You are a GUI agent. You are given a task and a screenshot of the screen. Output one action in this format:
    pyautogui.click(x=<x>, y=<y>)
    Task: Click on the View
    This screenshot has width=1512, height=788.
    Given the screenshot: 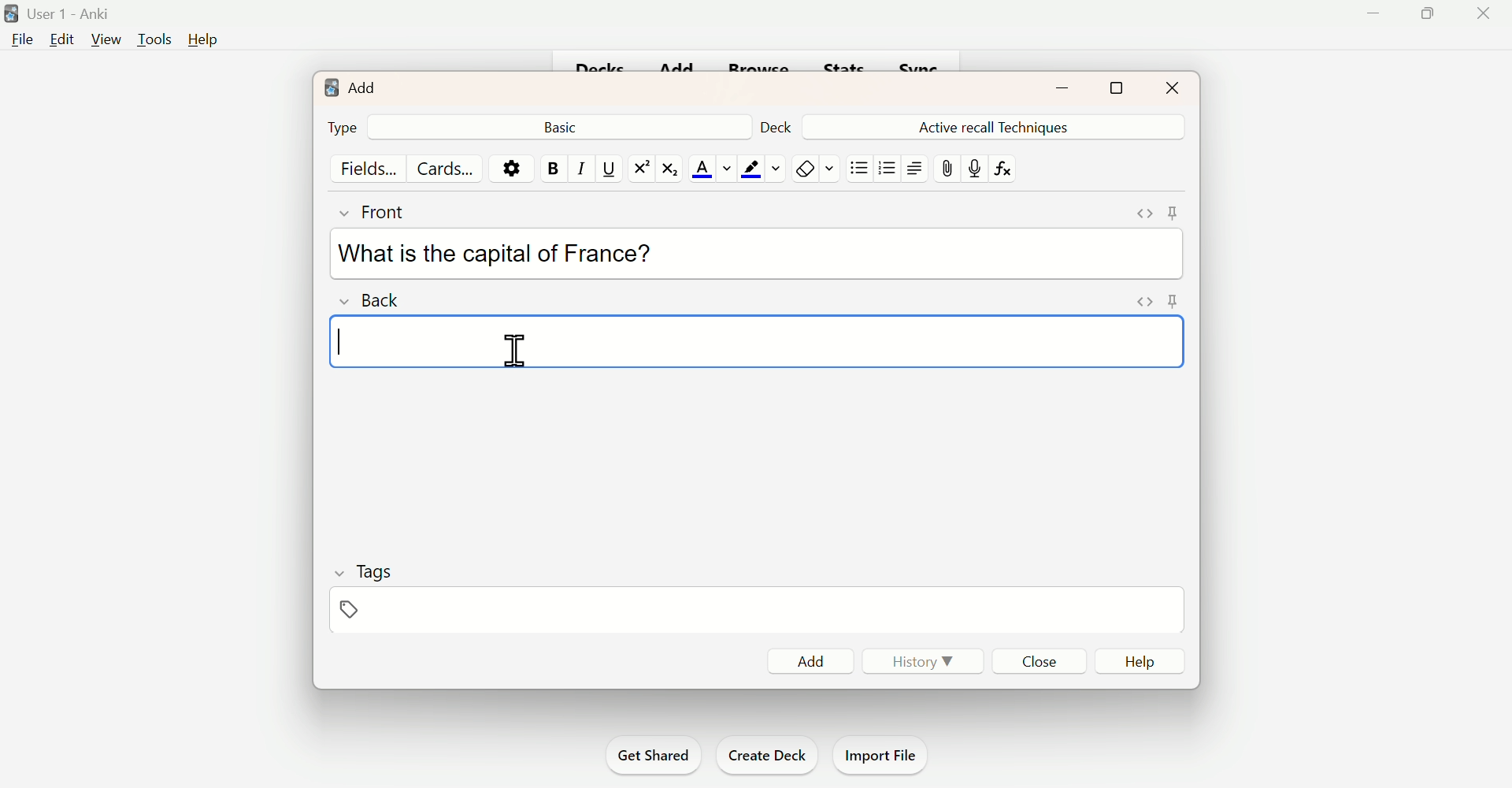 What is the action you would take?
    pyautogui.click(x=102, y=40)
    